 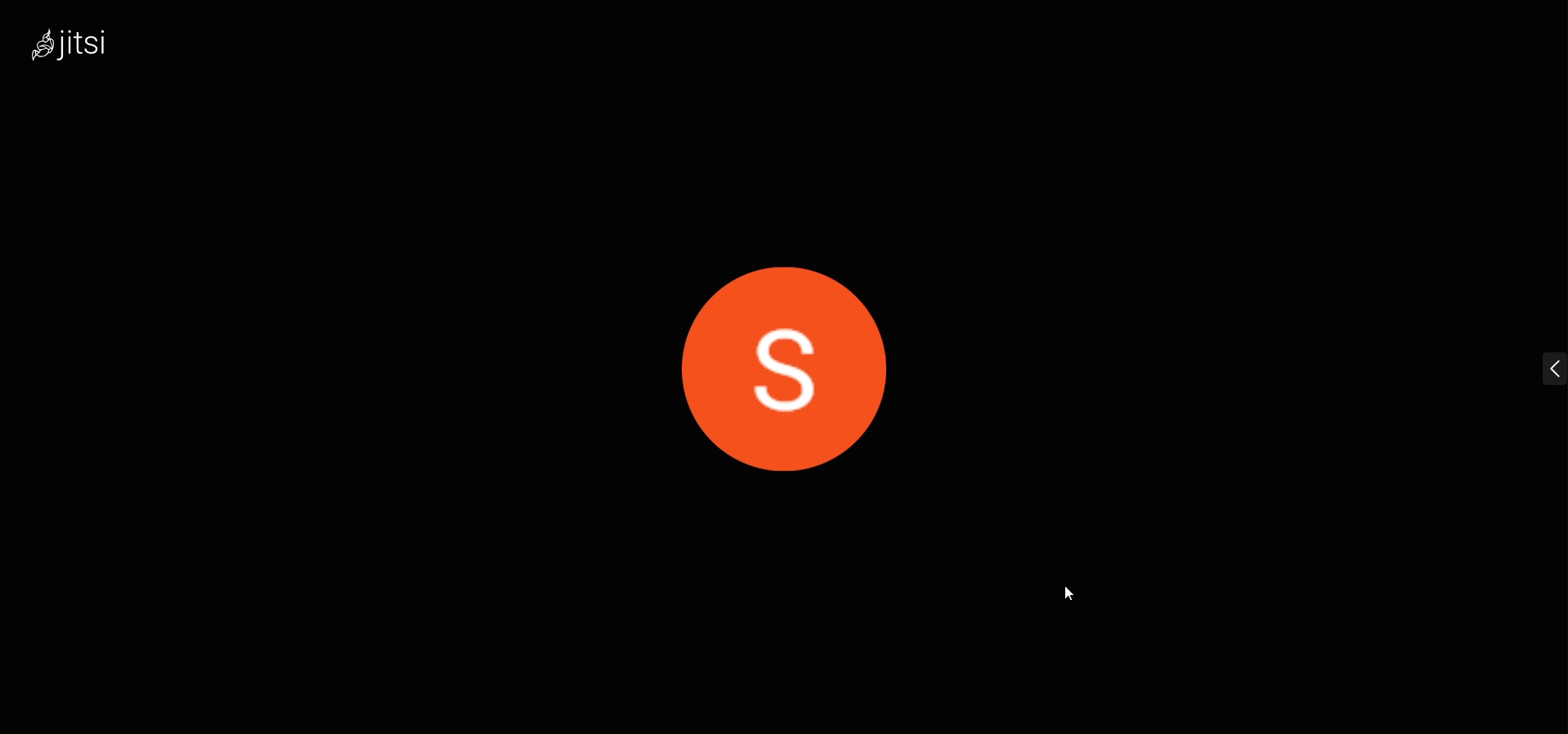 I want to click on display picture, so click(x=782, y=369).